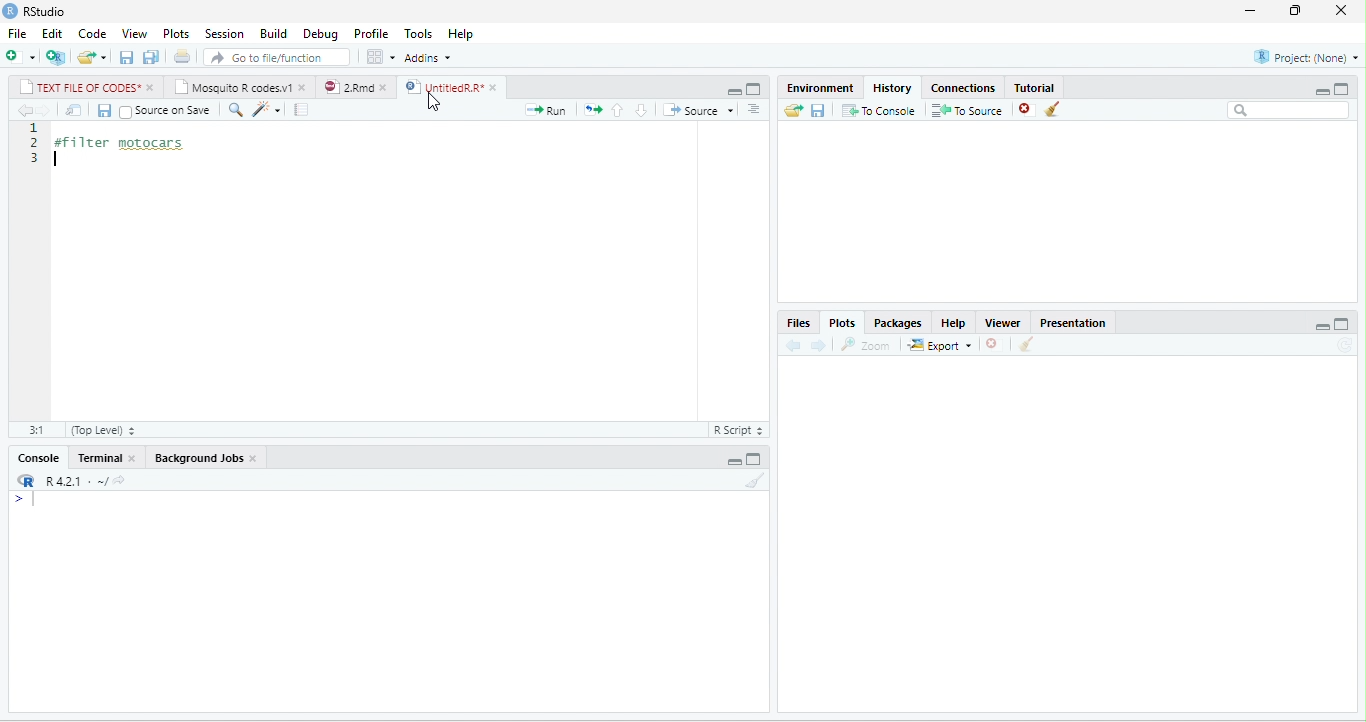 This screenshot has width=1366, height=722. I want to click on refresh, so click(1345, 345).